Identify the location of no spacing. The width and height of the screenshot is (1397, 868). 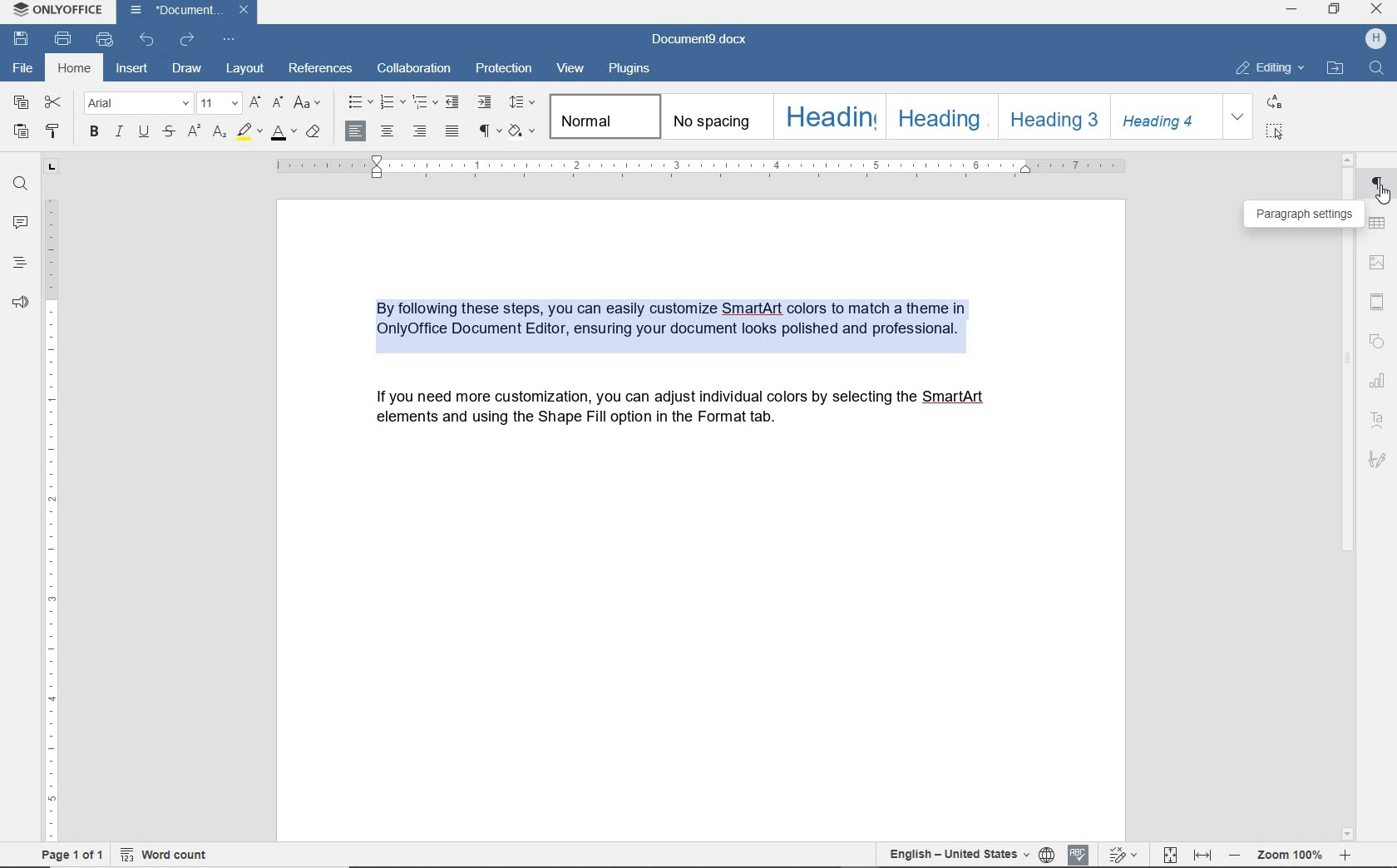
(713, 118).